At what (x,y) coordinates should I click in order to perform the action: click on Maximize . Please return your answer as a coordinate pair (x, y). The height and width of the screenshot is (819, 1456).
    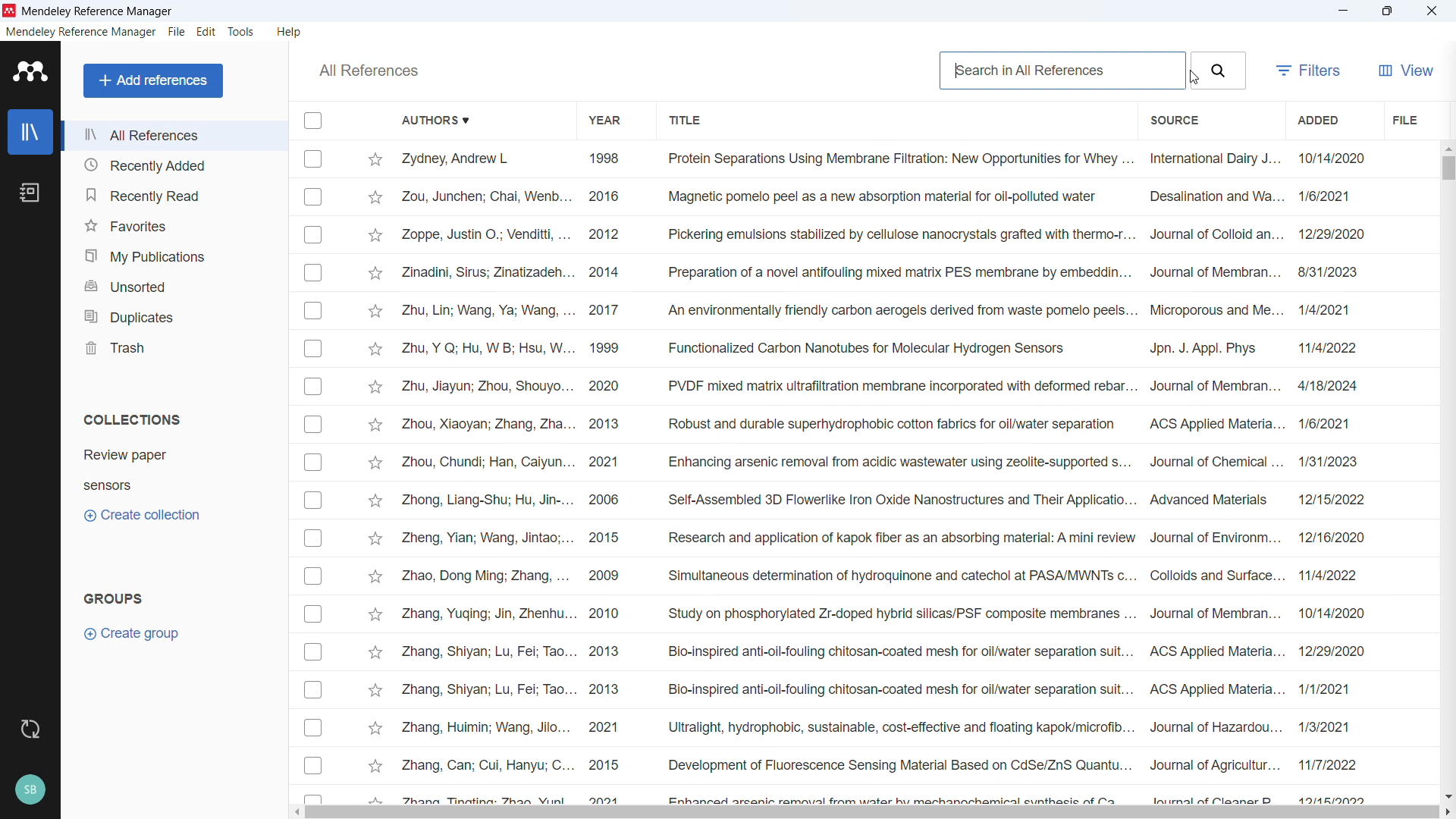
    Looking at the image, I should click on (1387, 11).